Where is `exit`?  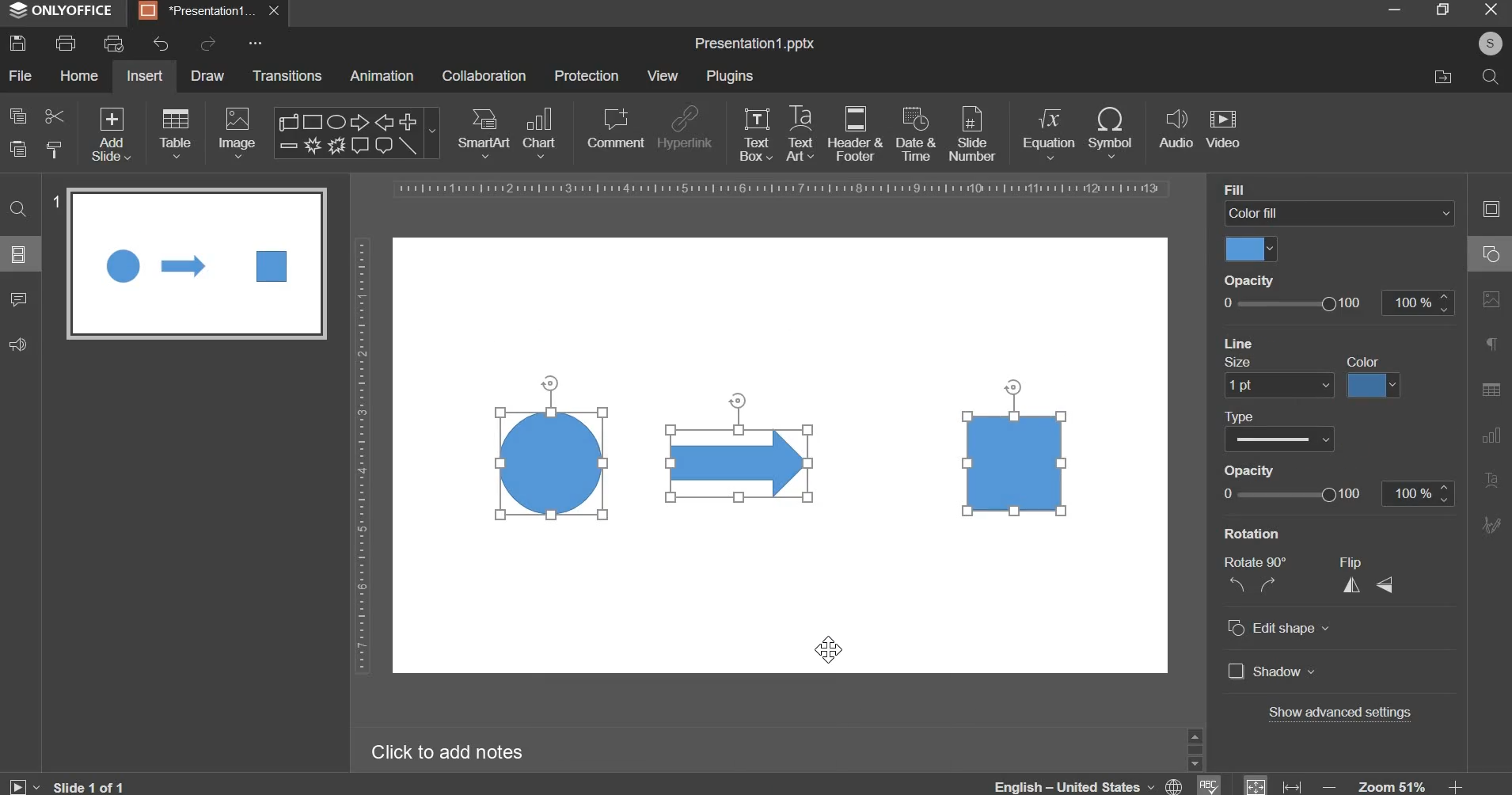
exit is located at coordinates (1491, 8).